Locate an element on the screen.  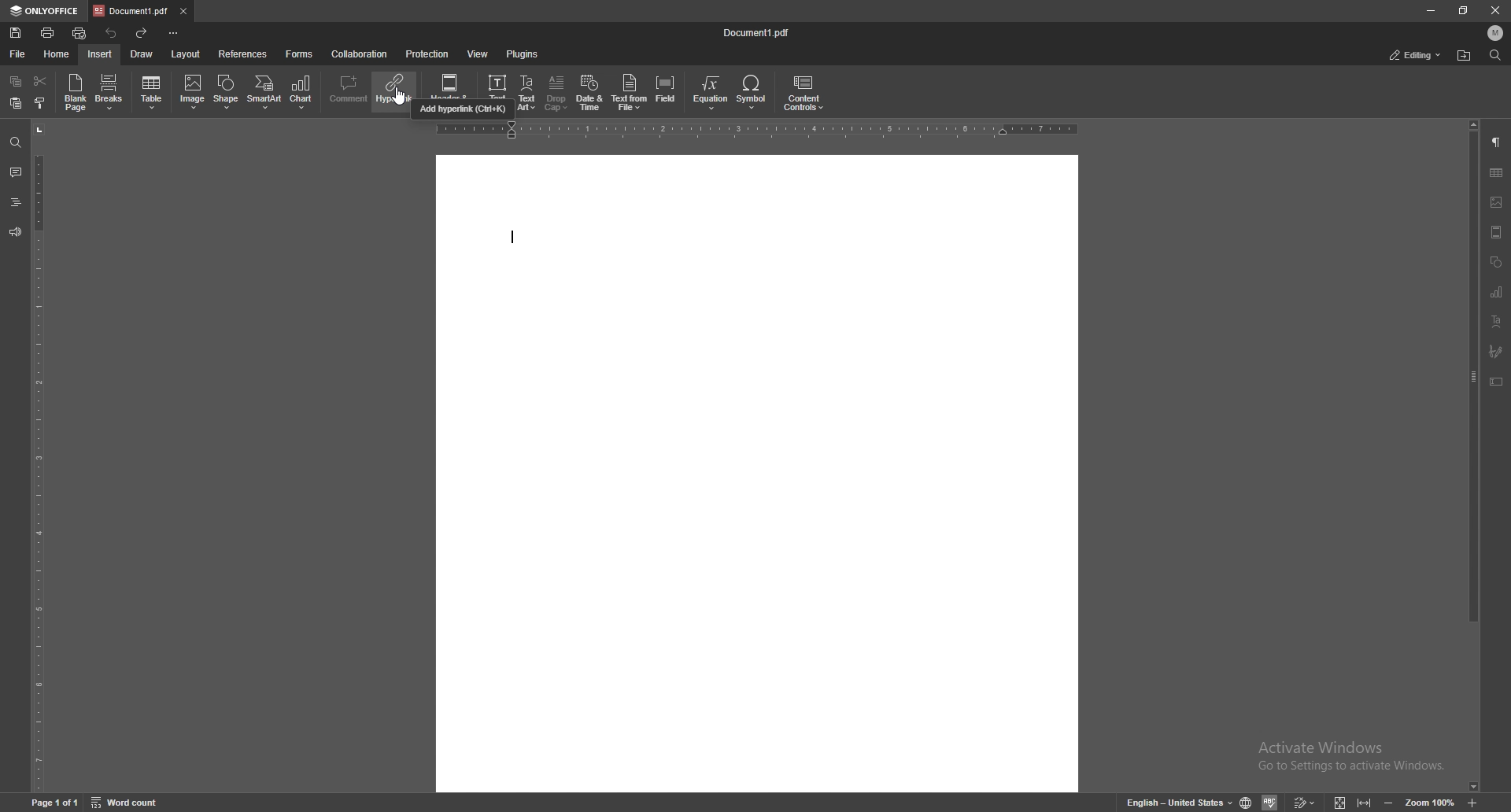
quick print is located at coordinates (82, 32).